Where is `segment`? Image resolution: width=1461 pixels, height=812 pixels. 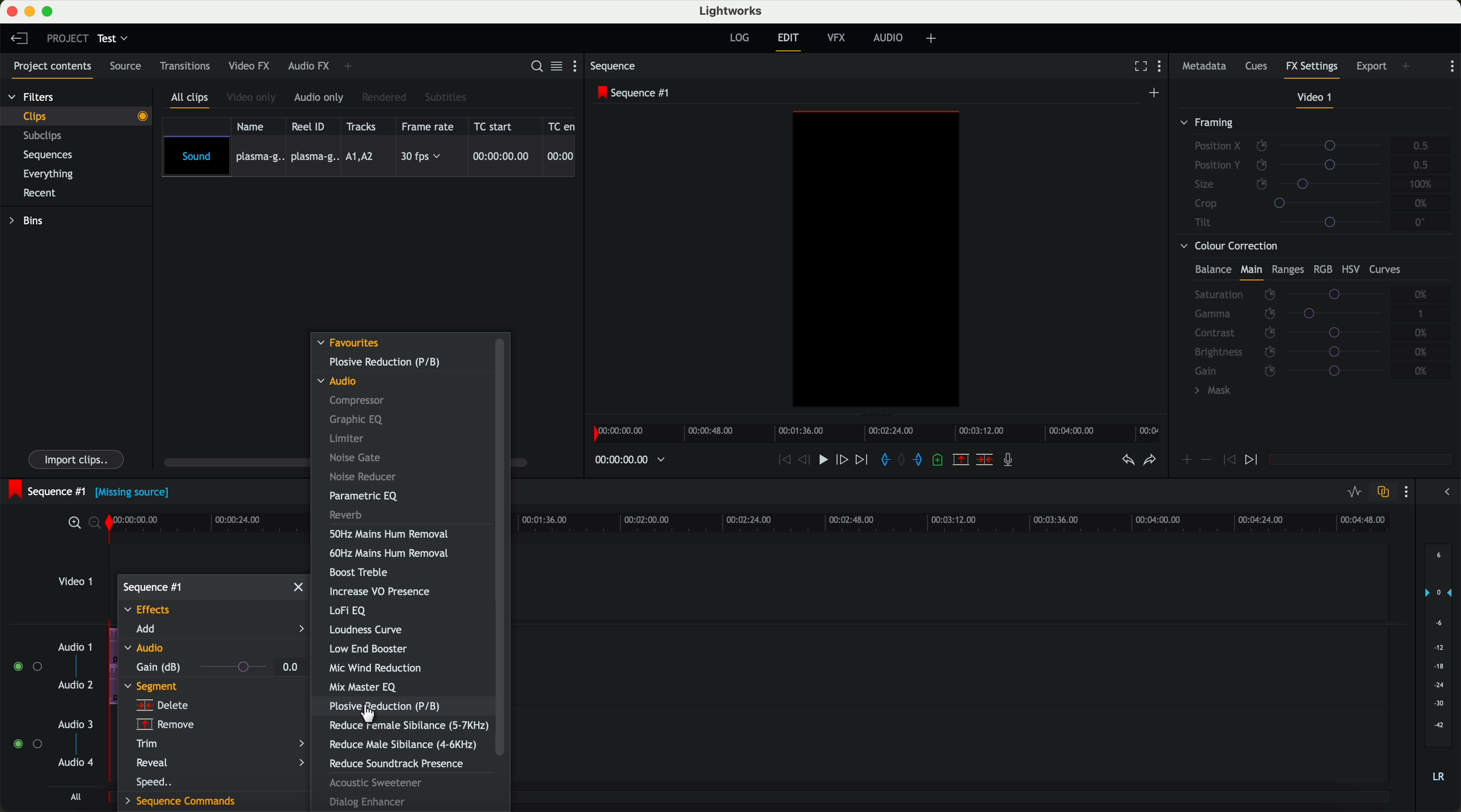 segment is located at coordinates (152, 687).